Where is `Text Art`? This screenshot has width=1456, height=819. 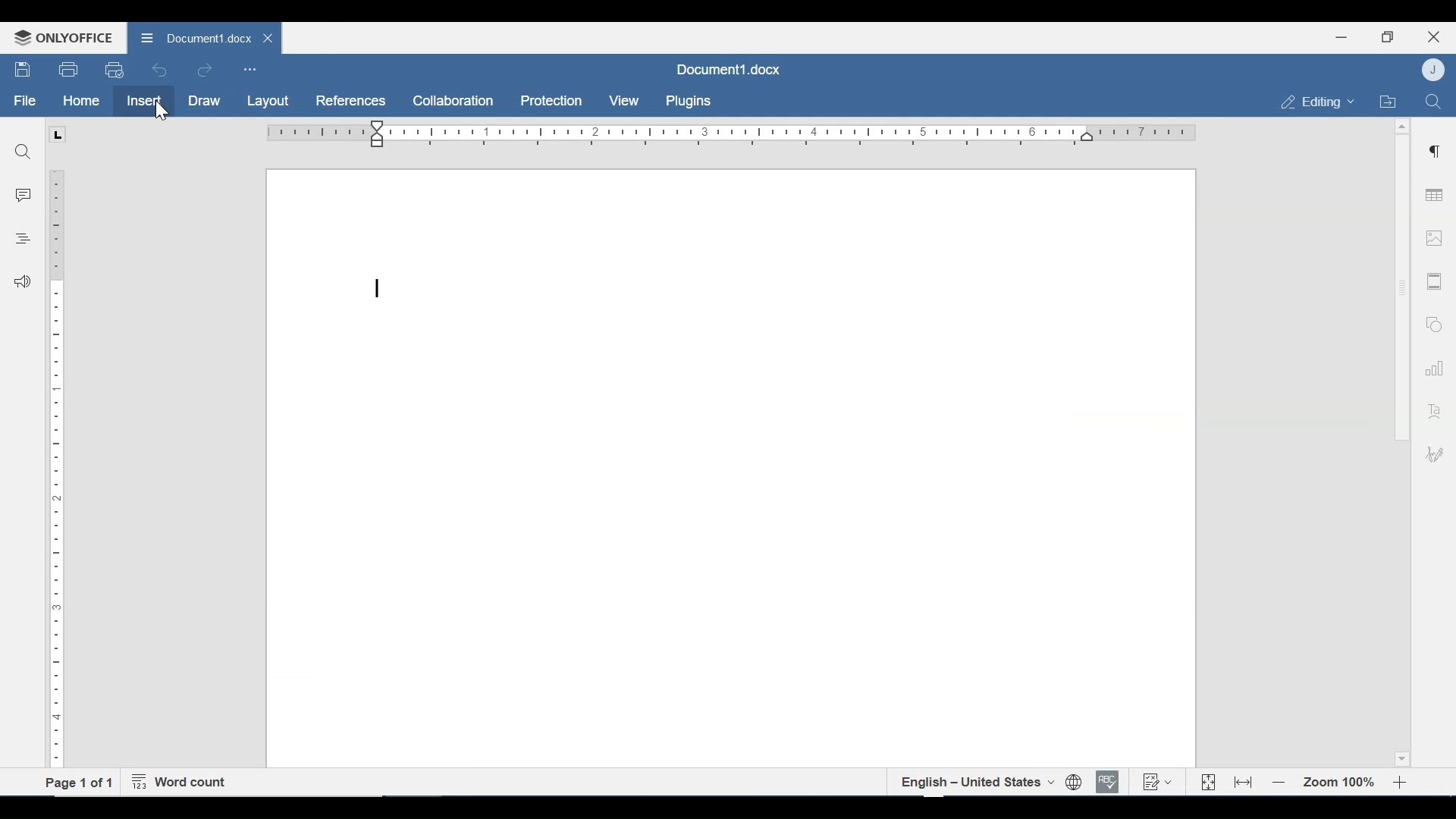
Text Art is located at coordinates (1432, 408).